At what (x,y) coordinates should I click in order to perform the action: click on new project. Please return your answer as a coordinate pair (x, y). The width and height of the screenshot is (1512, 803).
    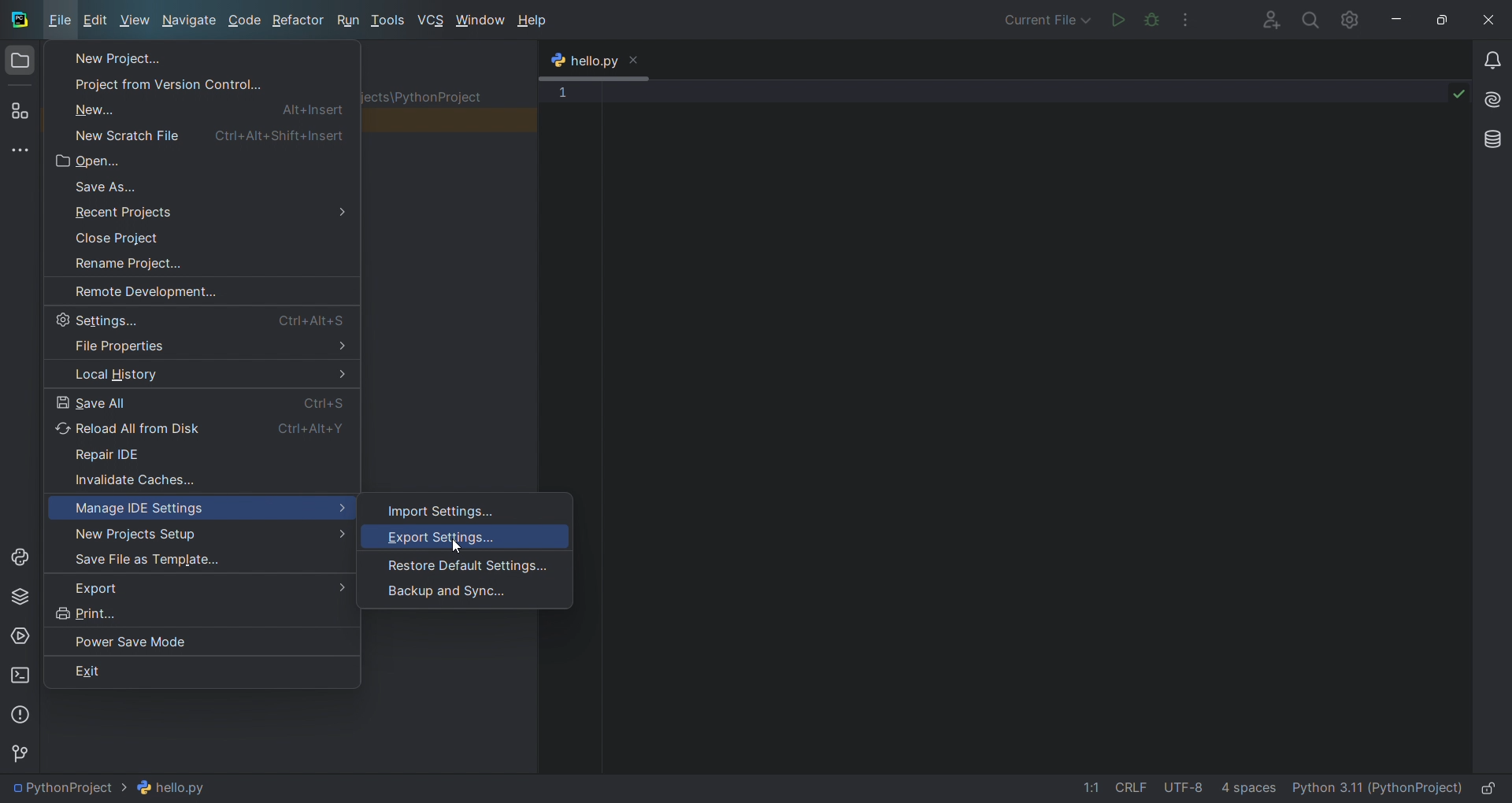
    Looking at the image, I should click on (194, 57).